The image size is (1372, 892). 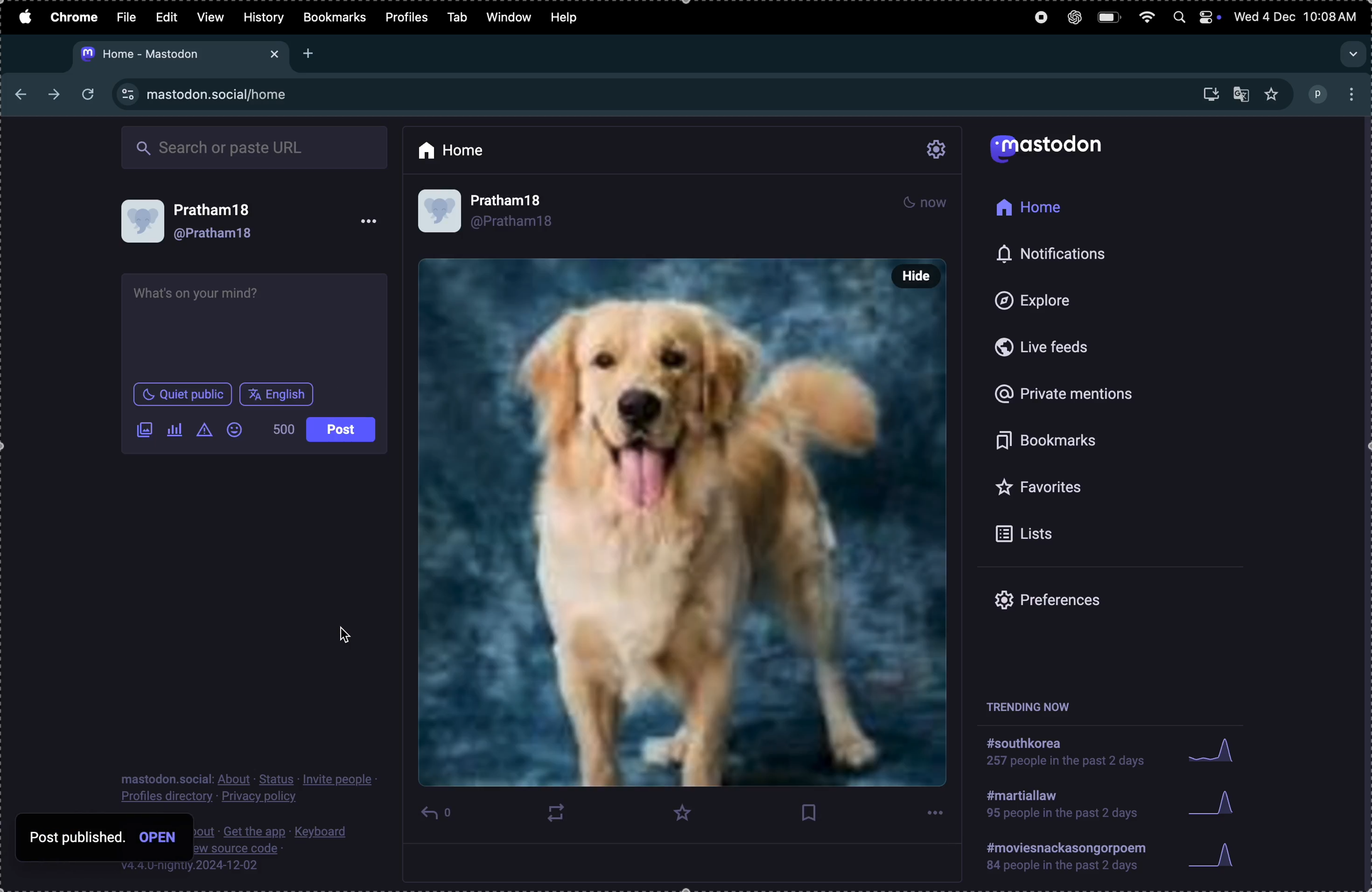 What do you see at coordinates (221, 94) in the screenshot?
I see `Mastdon url` at bounding box center [221, 94].